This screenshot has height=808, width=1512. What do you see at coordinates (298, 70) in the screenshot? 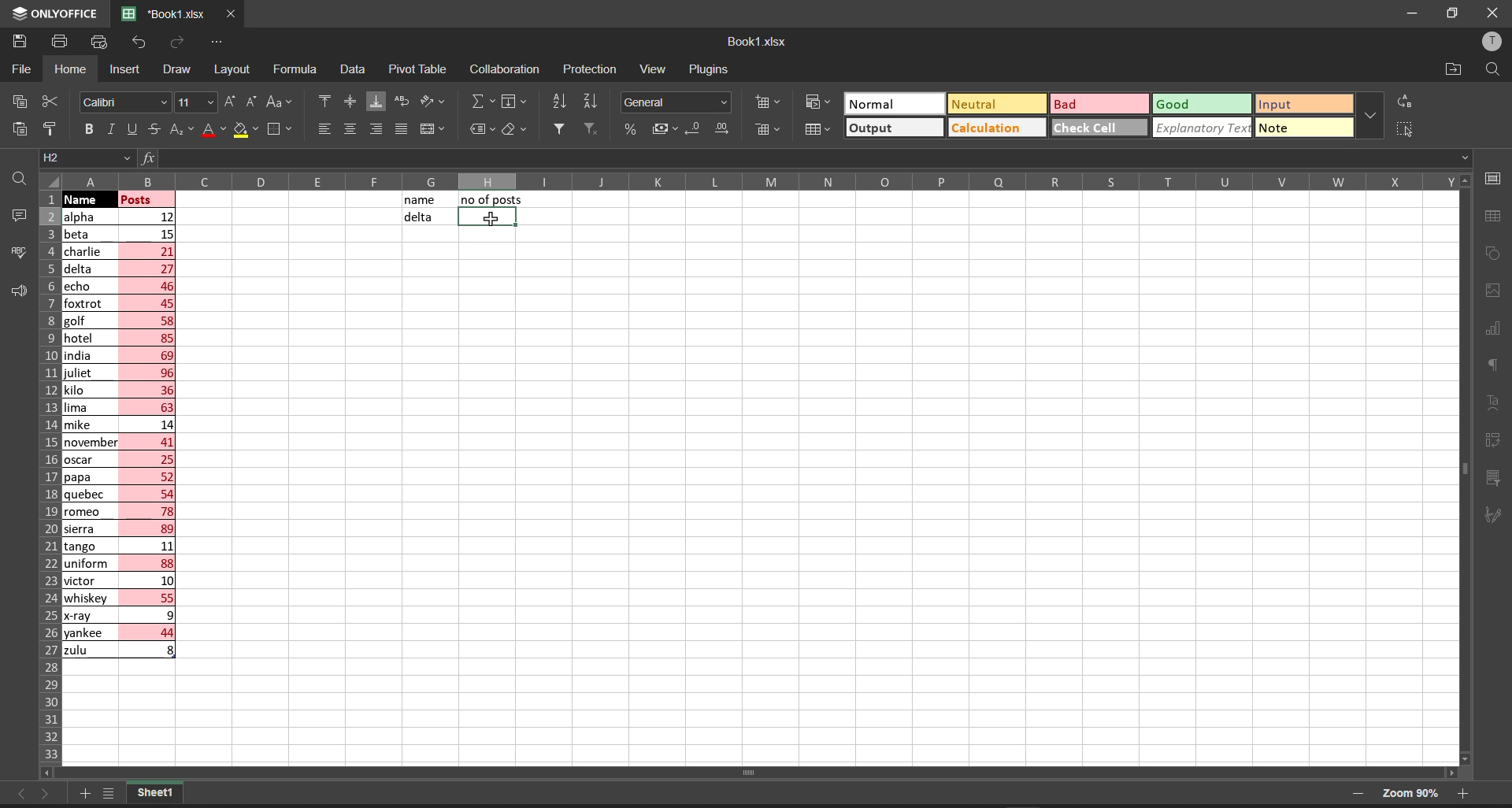
I see `formula` at bounding box center [298, 70].